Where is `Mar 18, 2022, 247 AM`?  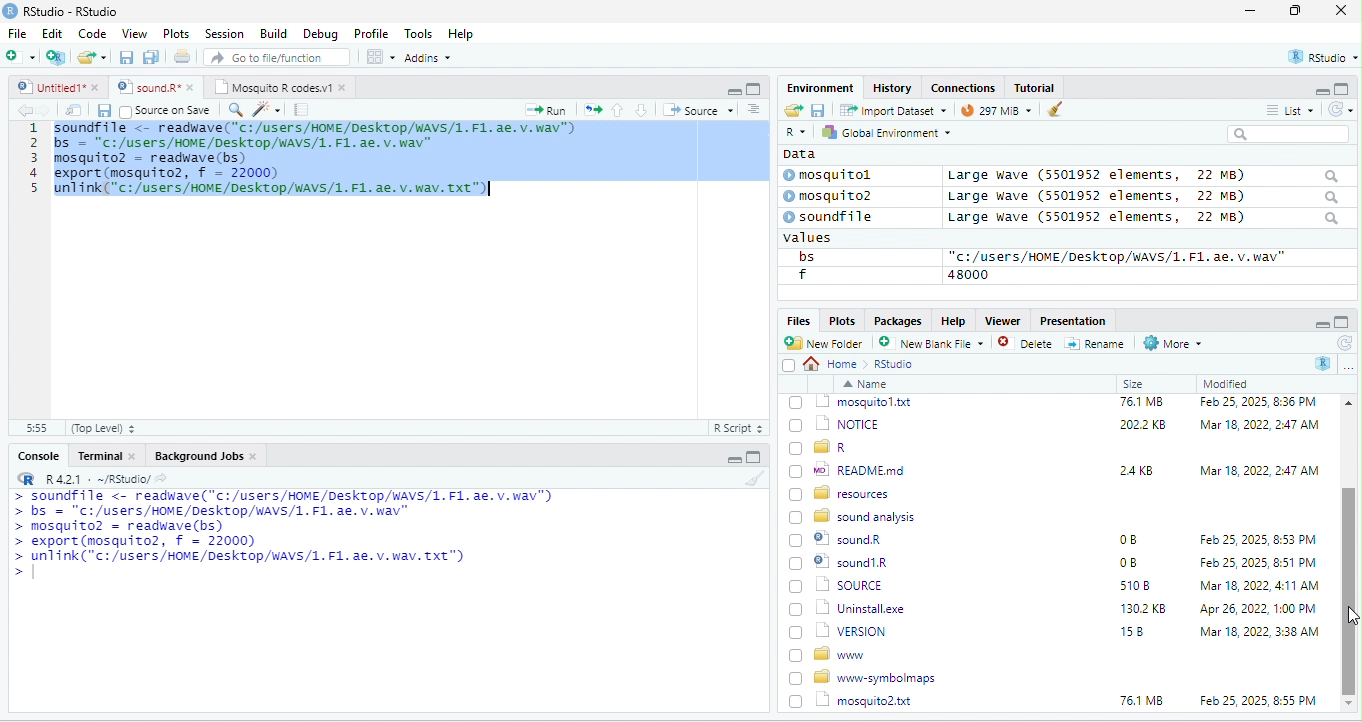 Mar 18, 2022, 247 AM is located at coordinates (1260, 474).